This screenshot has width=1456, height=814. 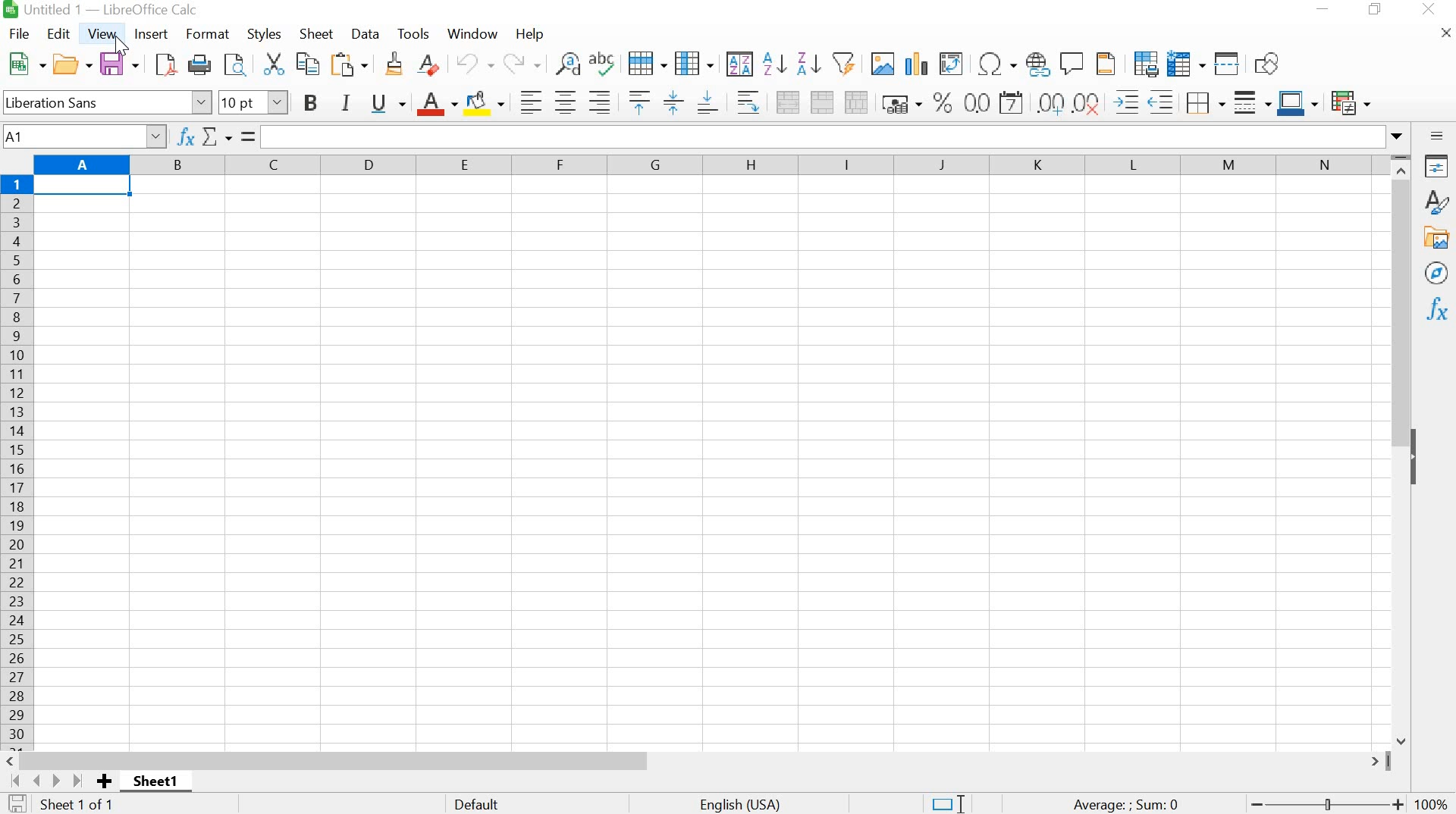 What do you see at coordinates (522, 64) in the screenshot?
I see `REDO` at bounding box center [522, 64].